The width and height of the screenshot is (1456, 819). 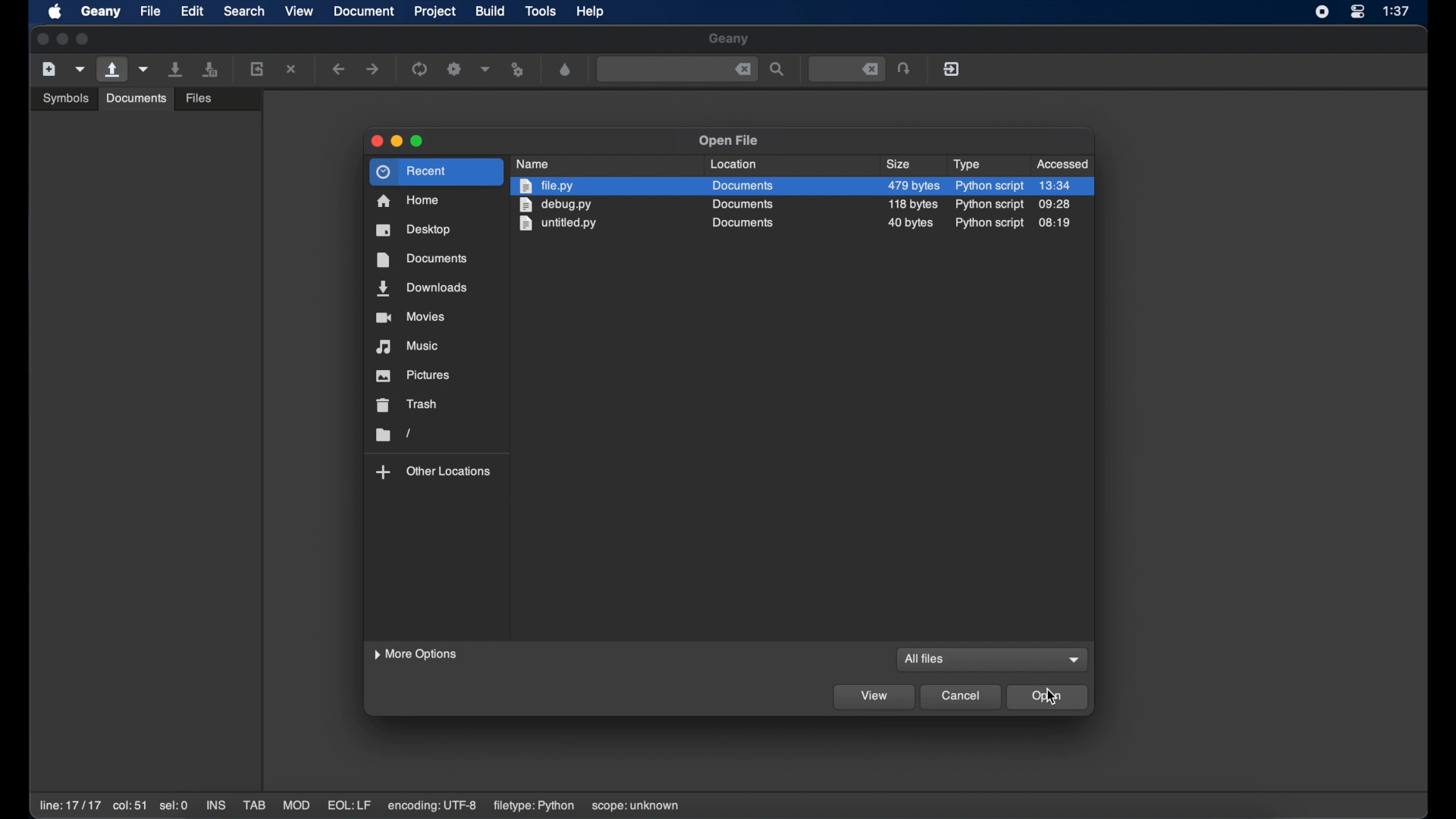 I want to click on find the entered text in the current file, so click(x=676, y=70).